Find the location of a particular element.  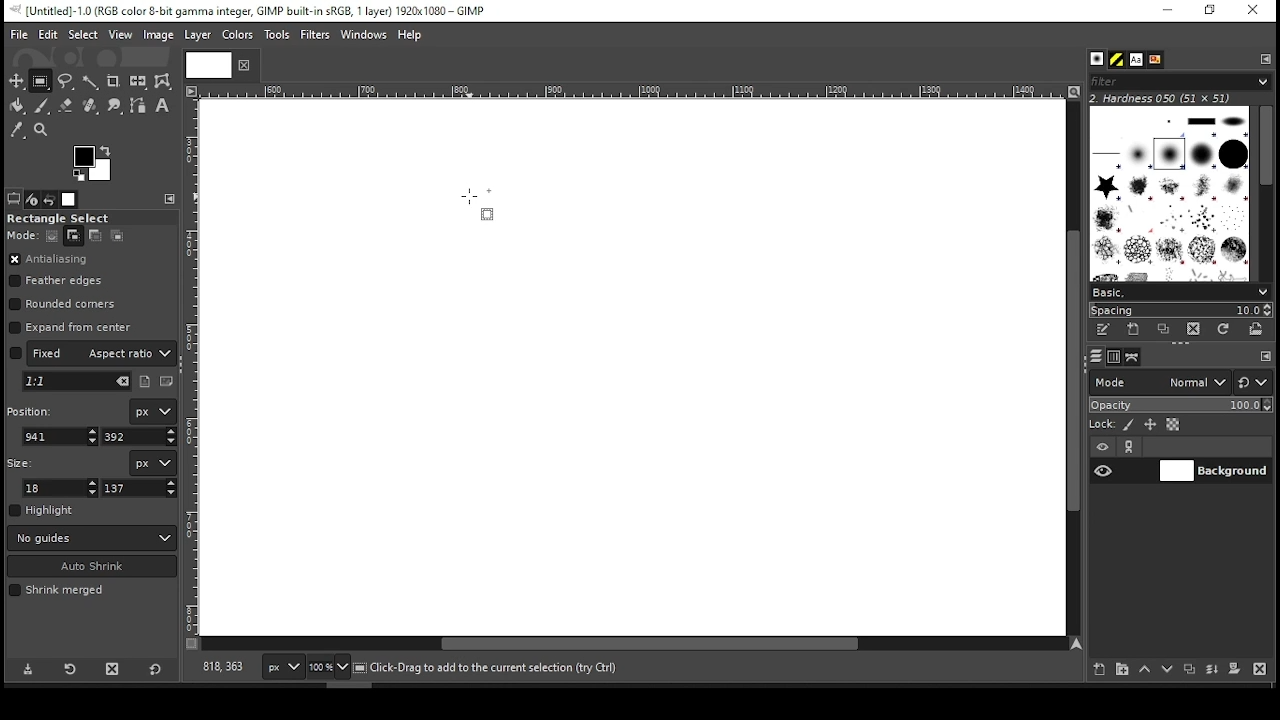

eraser tool is located at coordinates (65, 105).